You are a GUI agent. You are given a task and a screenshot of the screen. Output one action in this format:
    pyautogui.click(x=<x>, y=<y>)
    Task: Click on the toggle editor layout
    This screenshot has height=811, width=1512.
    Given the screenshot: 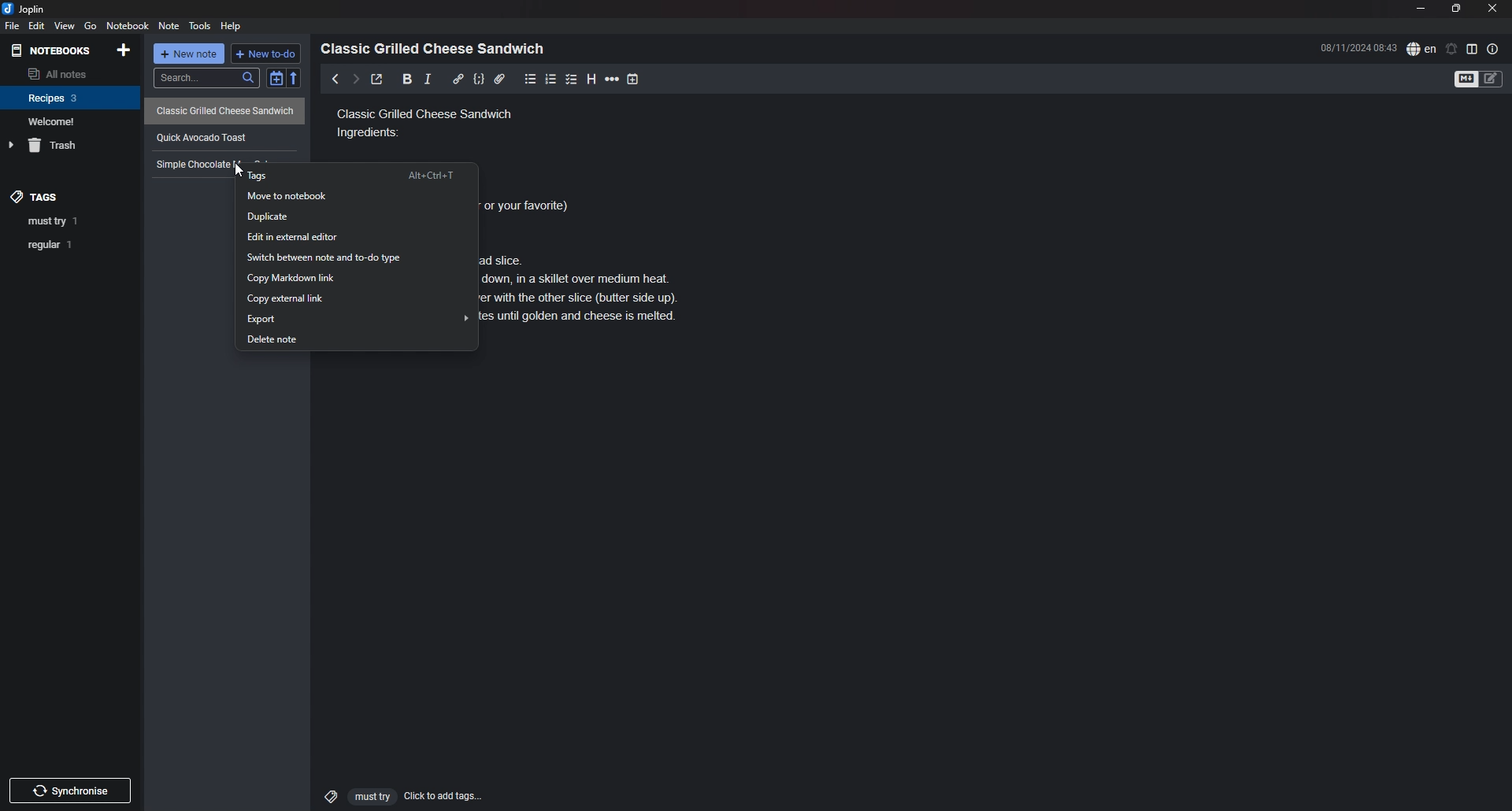 What is the action you would take?
    pyautogui.click(x=1473, y=49)
    